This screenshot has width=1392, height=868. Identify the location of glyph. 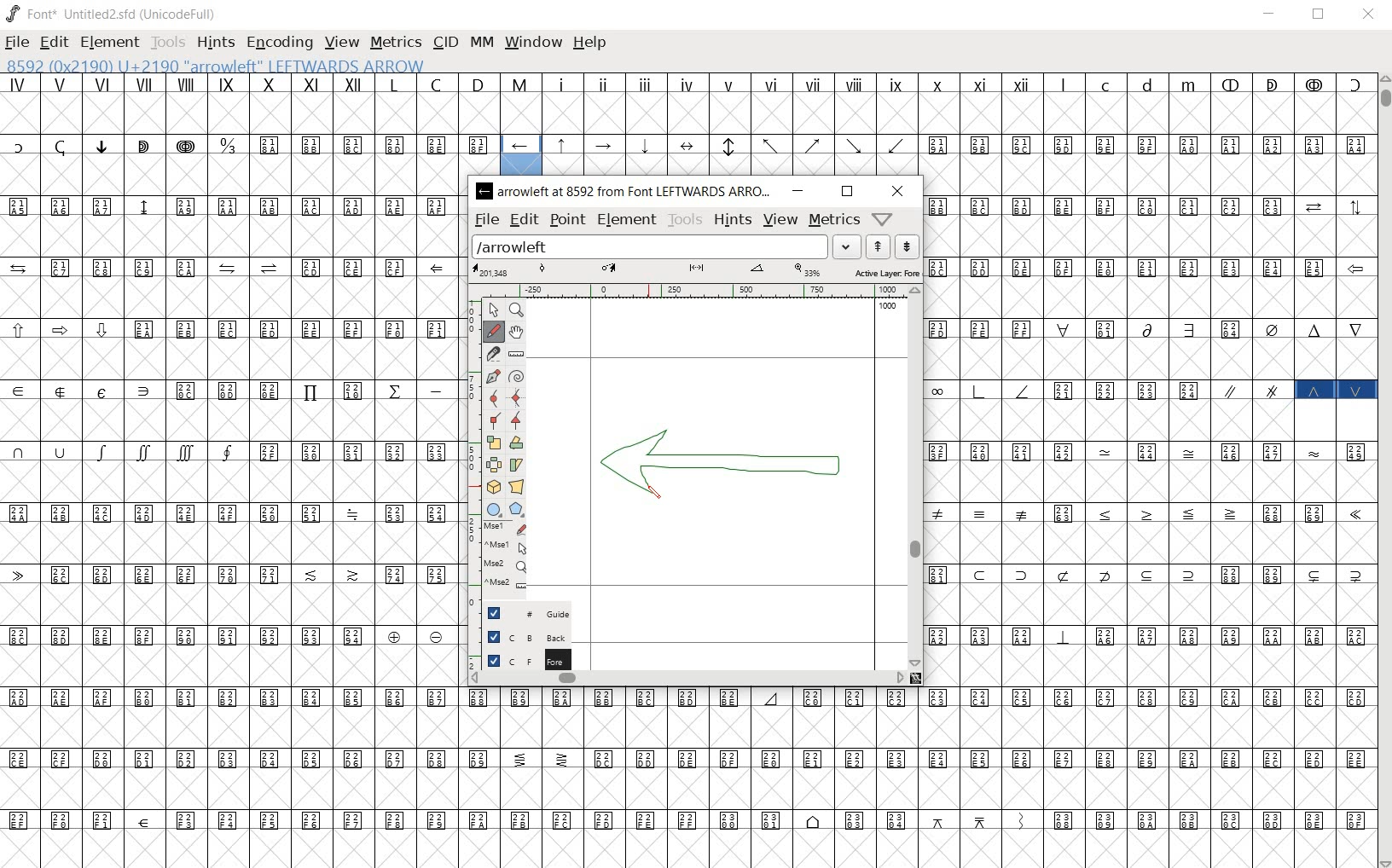
(737, 153).